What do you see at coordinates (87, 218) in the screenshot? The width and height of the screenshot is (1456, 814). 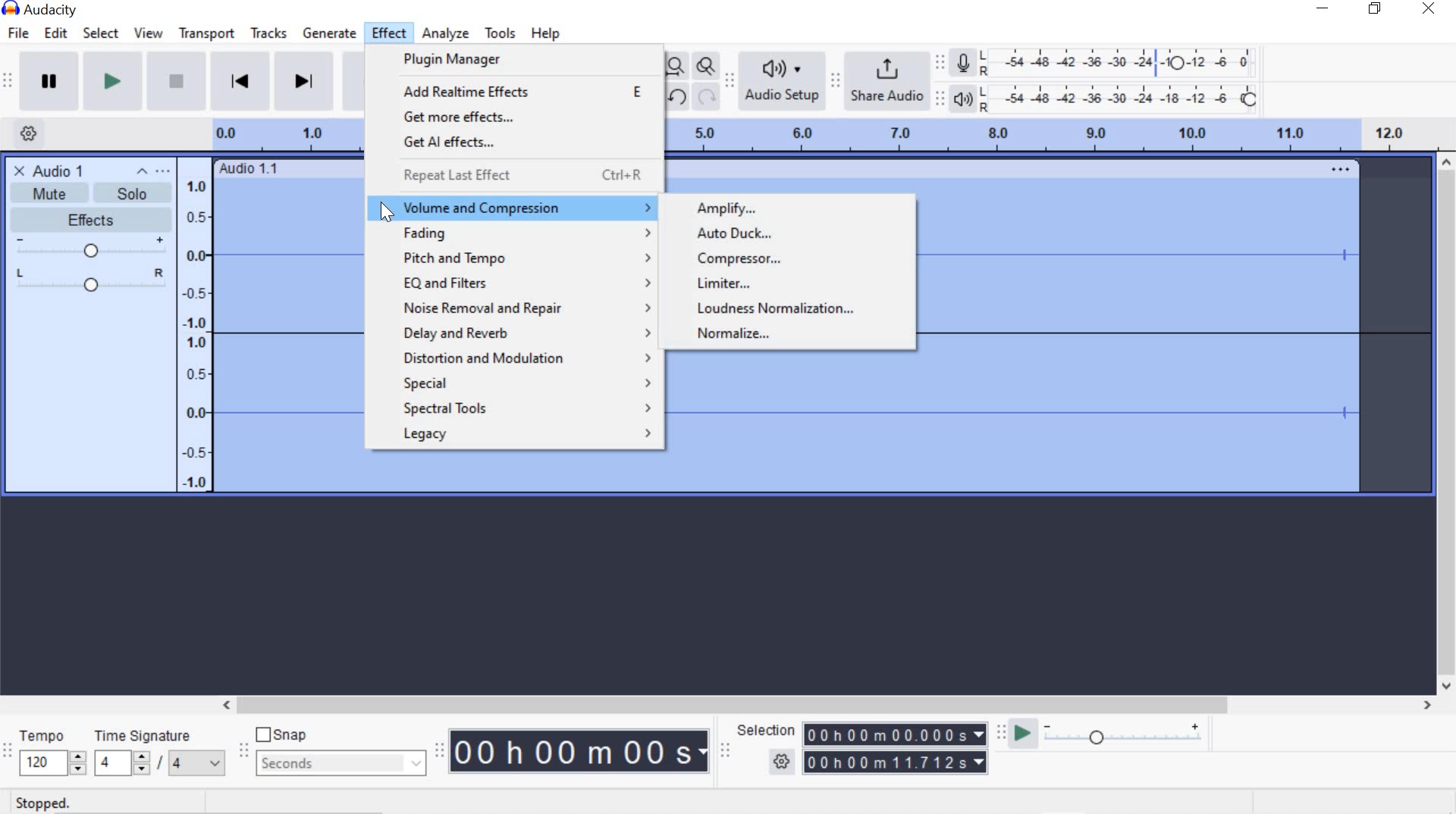 I see `EFFECTS` at bounding box center [87, 218].